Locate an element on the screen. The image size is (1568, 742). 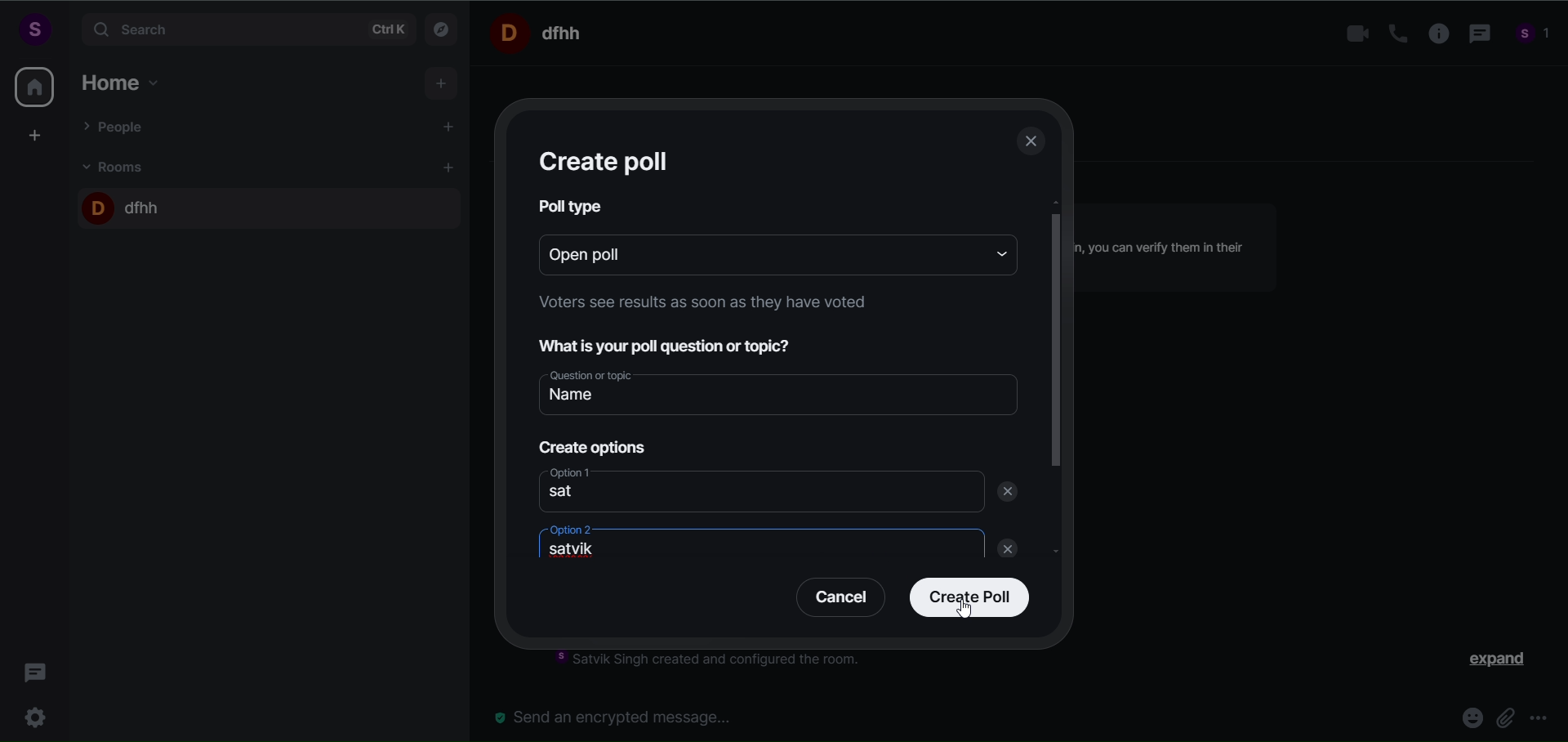
more options is located at coordinates (1542, 720).